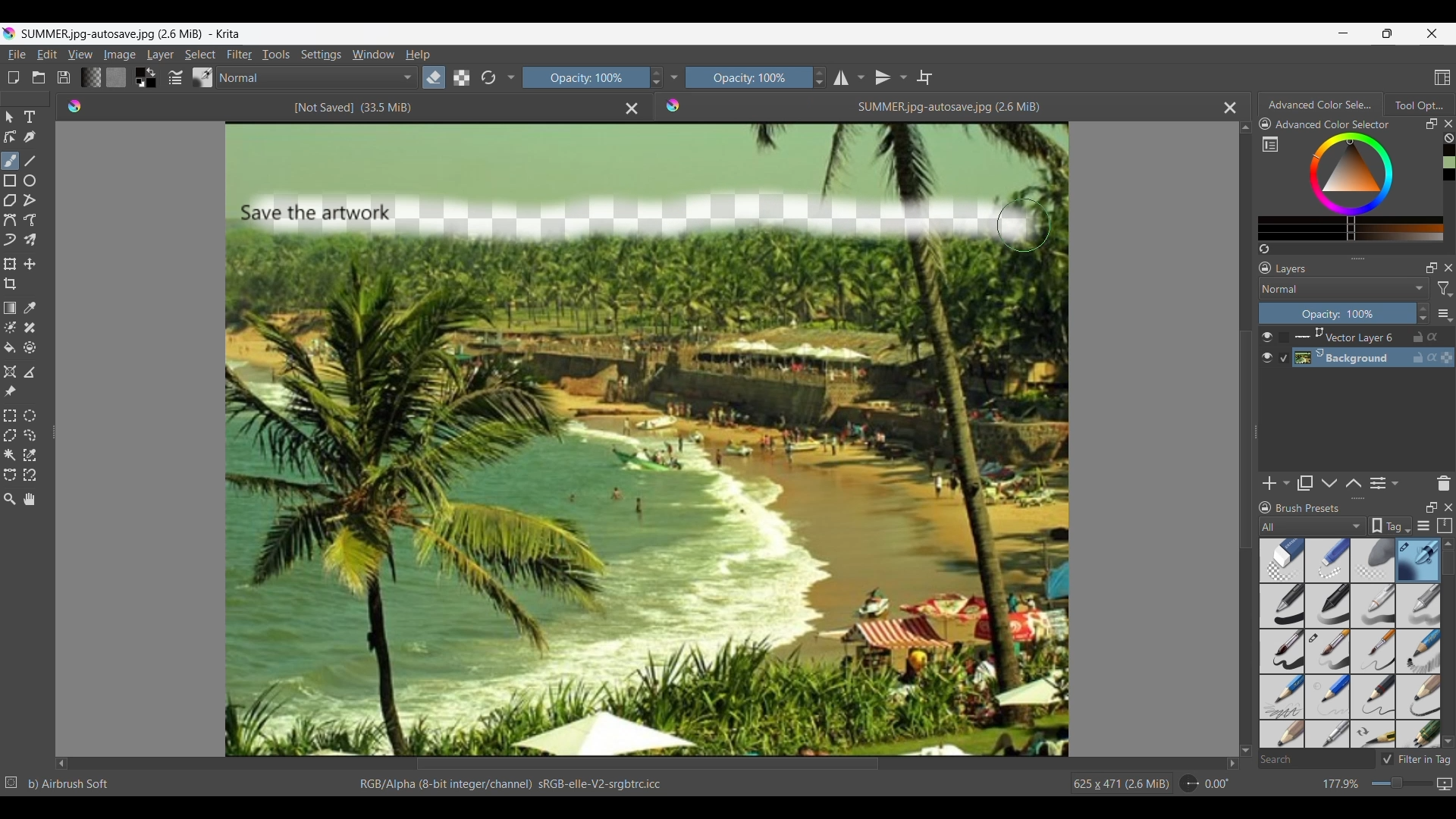 The height and width of the screenshot is (819, 1456). Describe the element at coordinates (10, 392) in the screenshot. I see `Reference images tool` at that location.